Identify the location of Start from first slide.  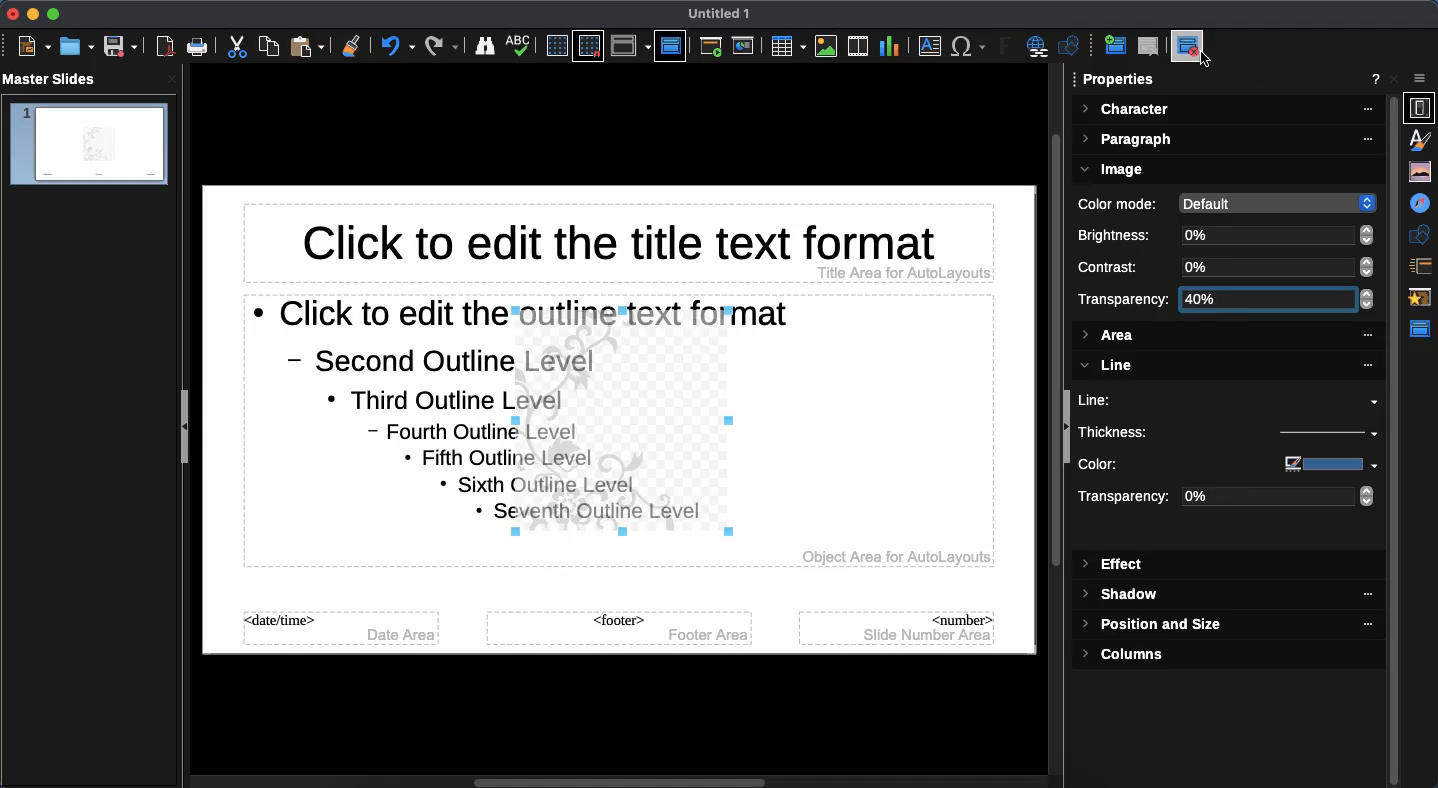
(713, 49).